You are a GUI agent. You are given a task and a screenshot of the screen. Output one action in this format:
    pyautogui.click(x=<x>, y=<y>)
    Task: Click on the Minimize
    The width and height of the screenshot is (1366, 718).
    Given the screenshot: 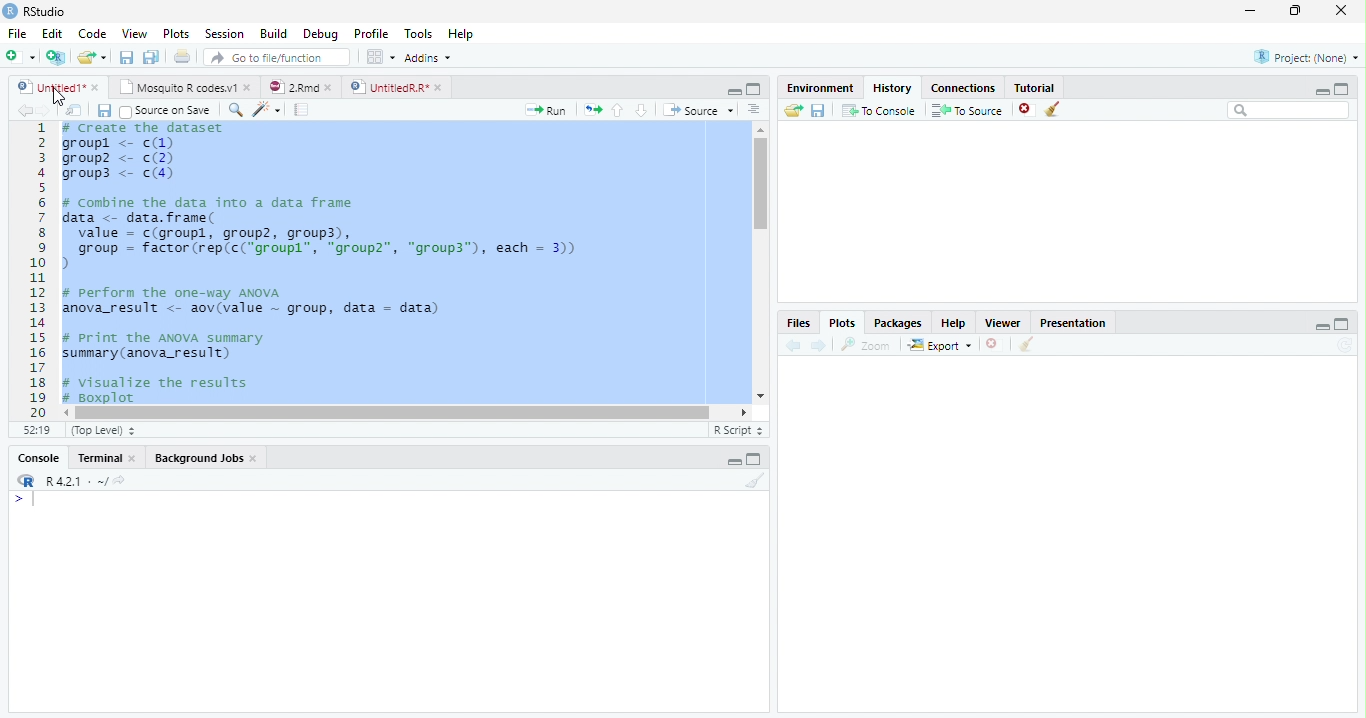 What is the action you would take?
    pyautogui.click(x=734, y=463)
    